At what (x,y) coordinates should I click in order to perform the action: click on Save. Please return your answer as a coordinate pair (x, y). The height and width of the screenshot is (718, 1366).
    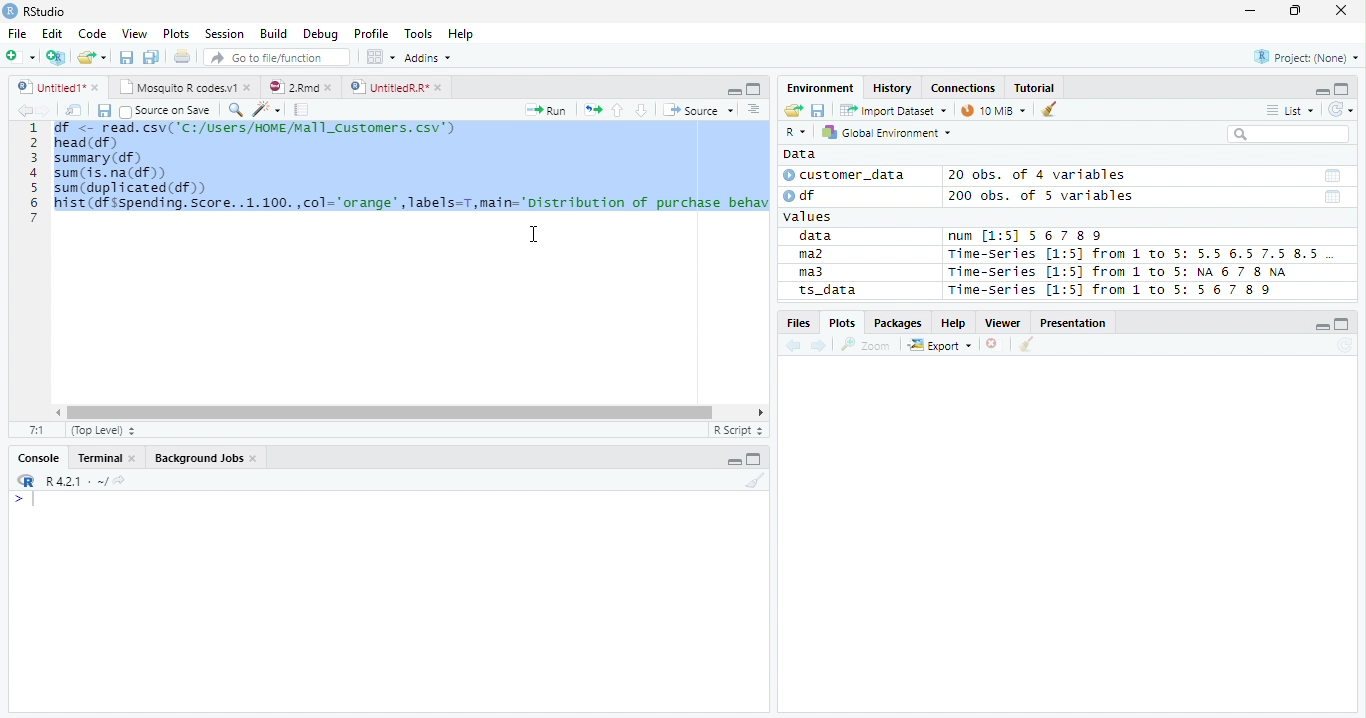
    Looking at the image, I should click on (103, 110).